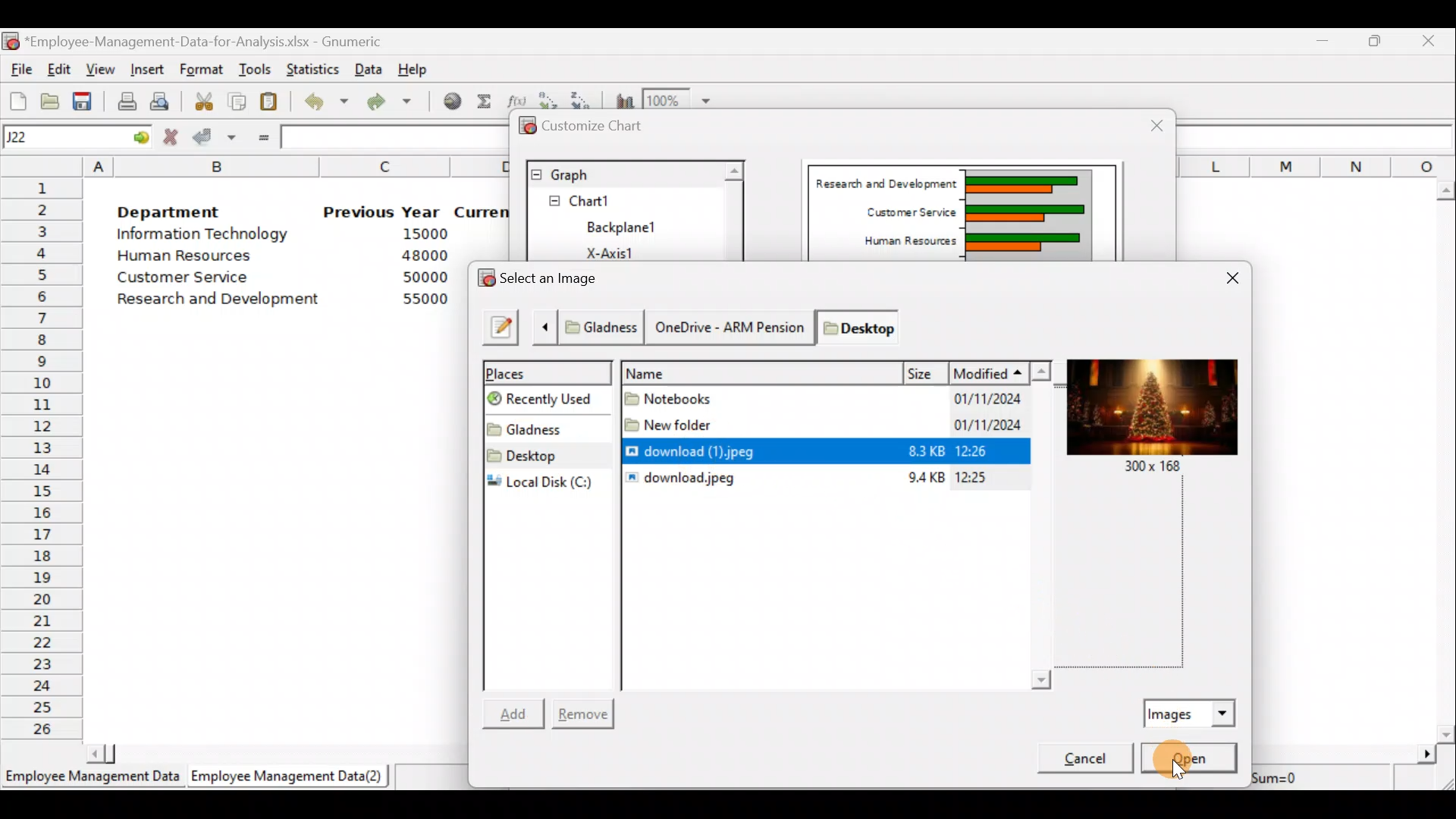  Describe the element at coordinates (180, 212) in the screenshot. I see `Department` at that location.